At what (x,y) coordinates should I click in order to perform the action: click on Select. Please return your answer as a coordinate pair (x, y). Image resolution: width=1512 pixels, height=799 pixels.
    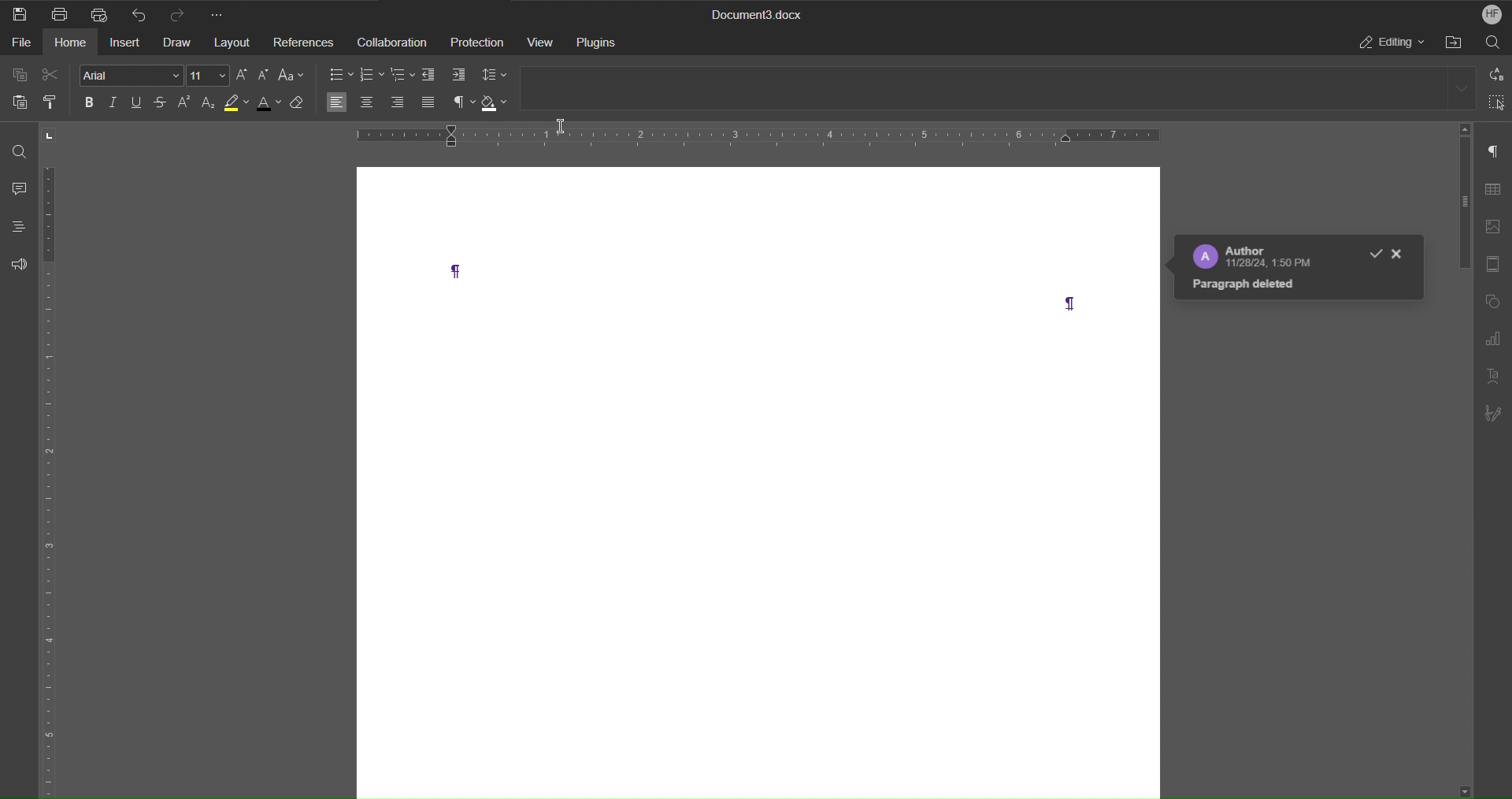
    Looking at the image, I should click on (1496, 104).